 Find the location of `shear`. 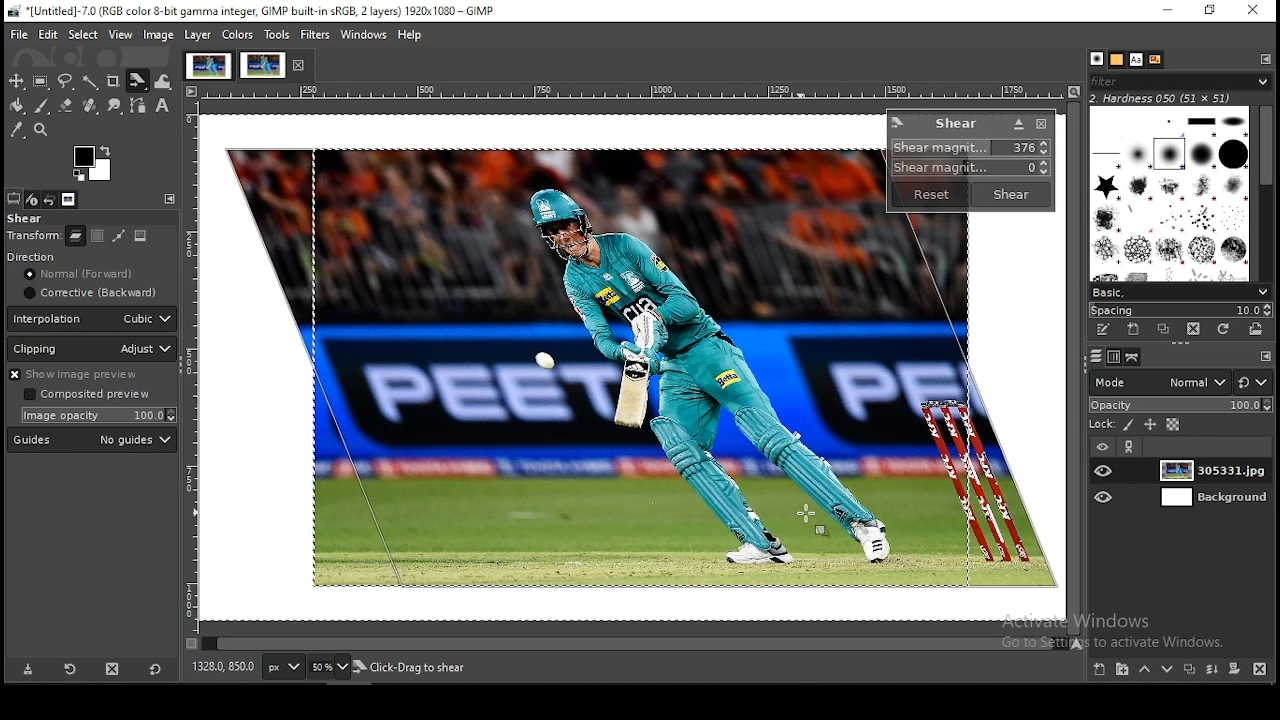

shear is located at coordinates (26, 219).